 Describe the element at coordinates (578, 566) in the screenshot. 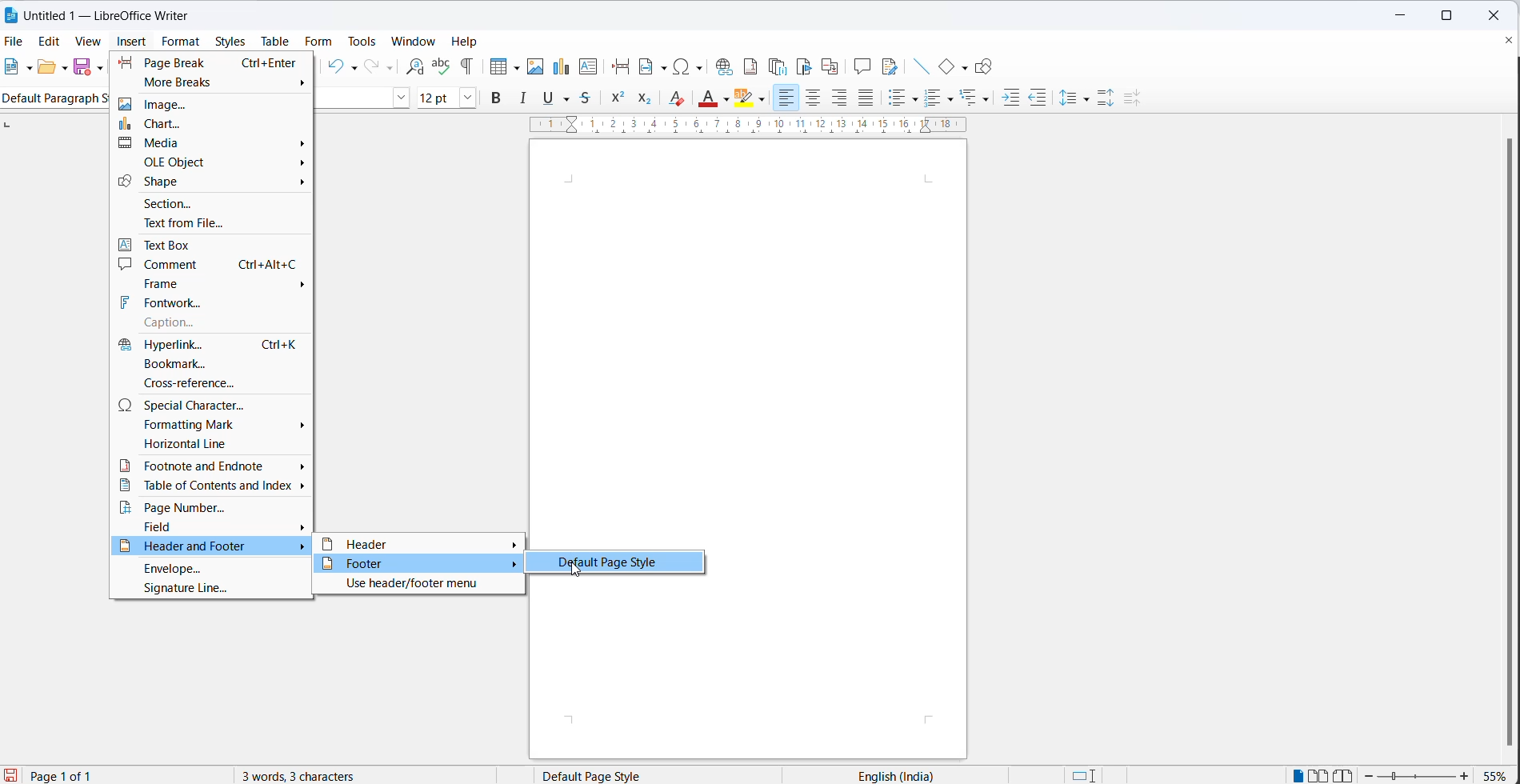

I see `cursor` at that location.